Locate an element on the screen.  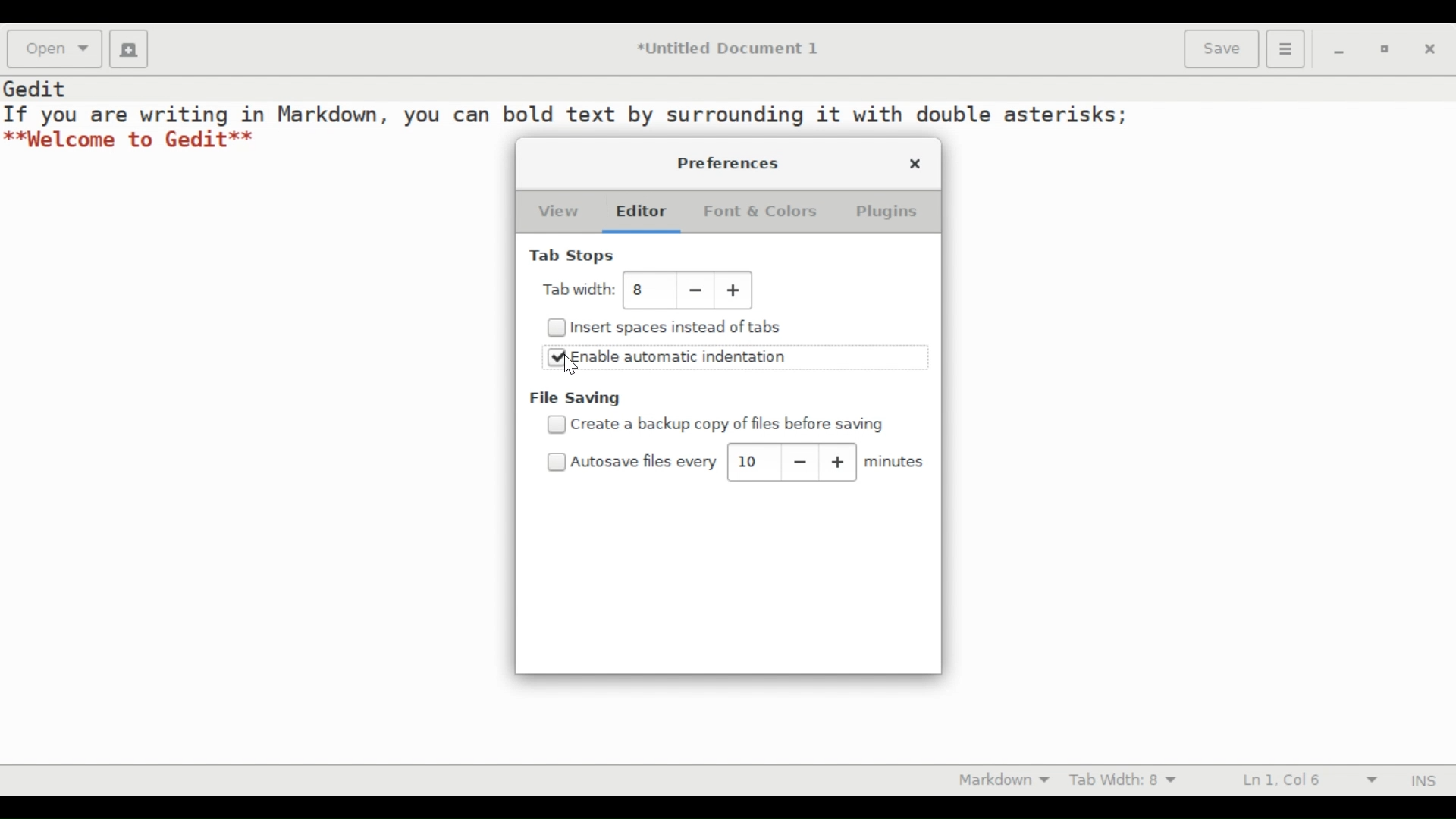
autosave value is located at coordinates (753, 463).